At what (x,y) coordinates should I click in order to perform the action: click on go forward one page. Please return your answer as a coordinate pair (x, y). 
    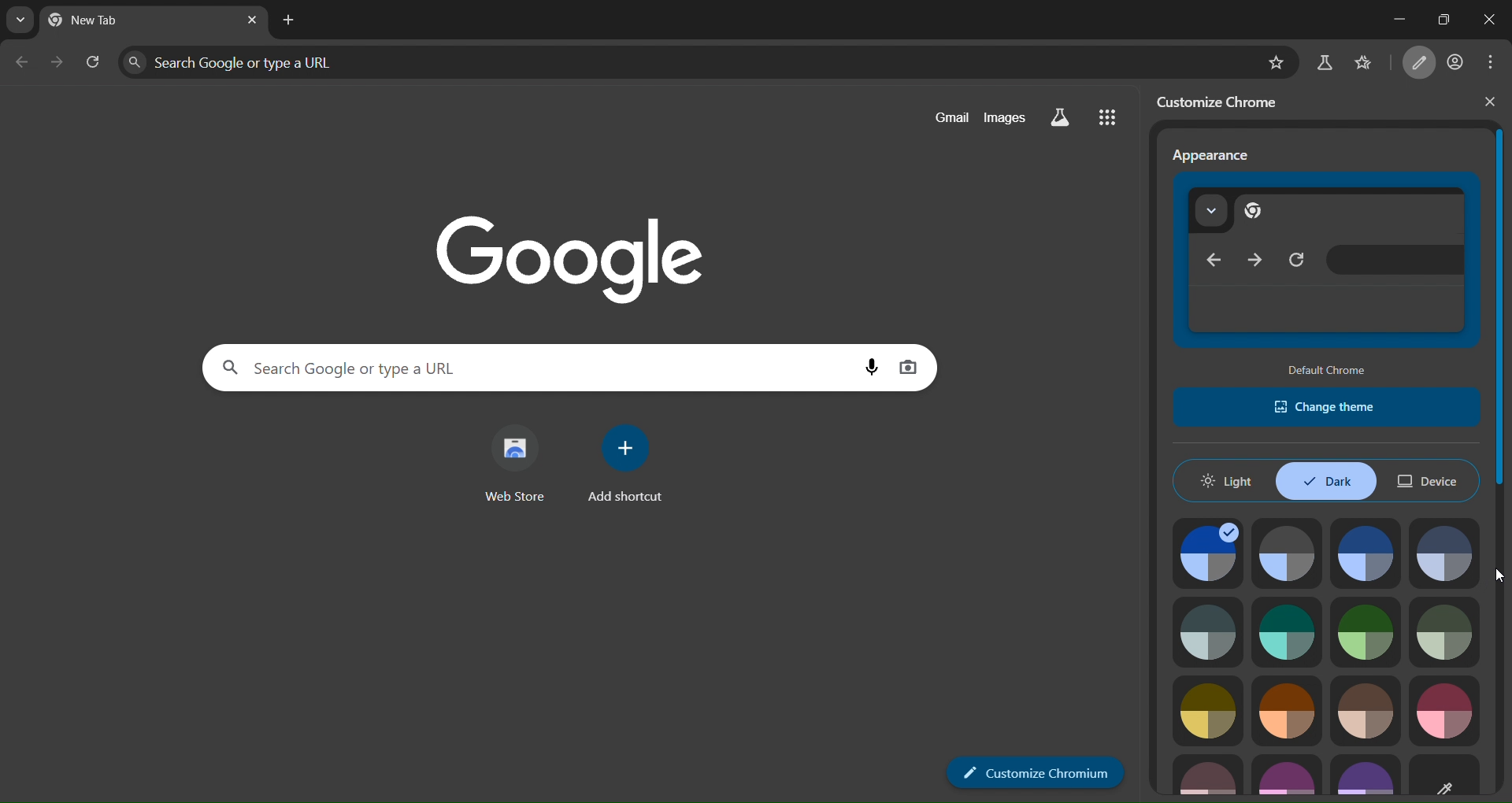
    Looking at the image, I should click on (60, 66).